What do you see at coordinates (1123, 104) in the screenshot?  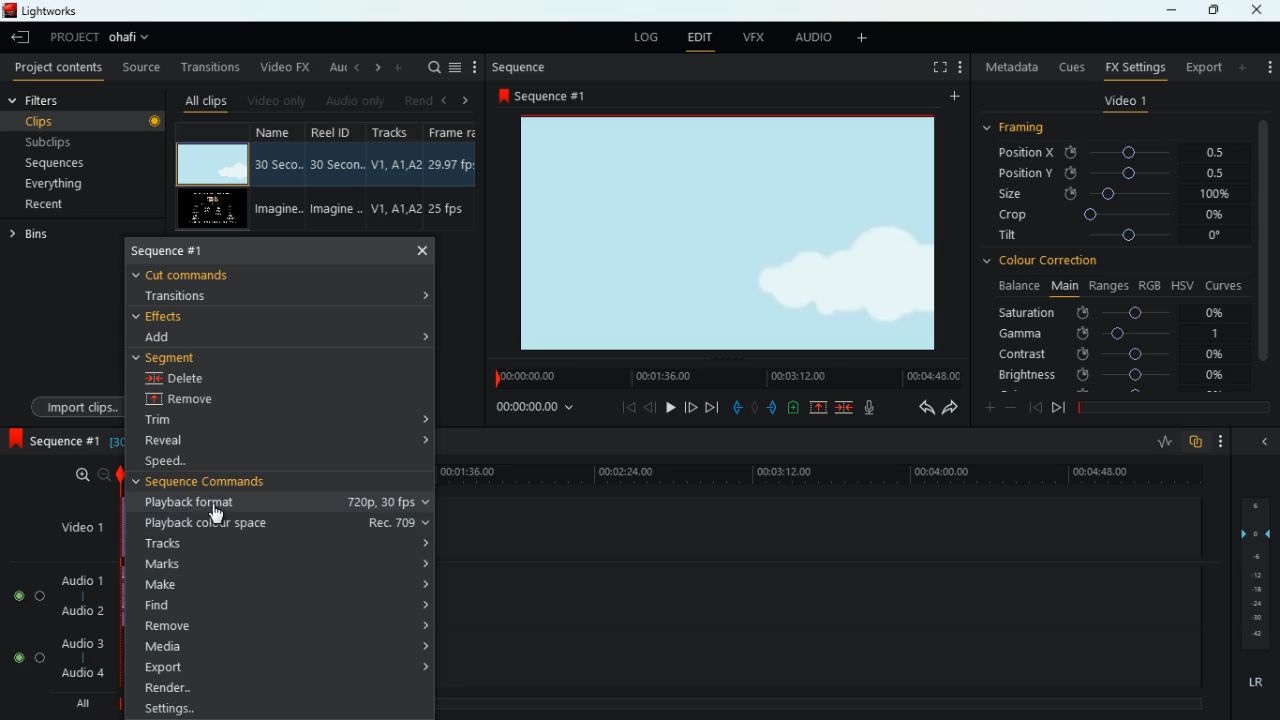 I see `video 1` at bounding box center [1123, 104].